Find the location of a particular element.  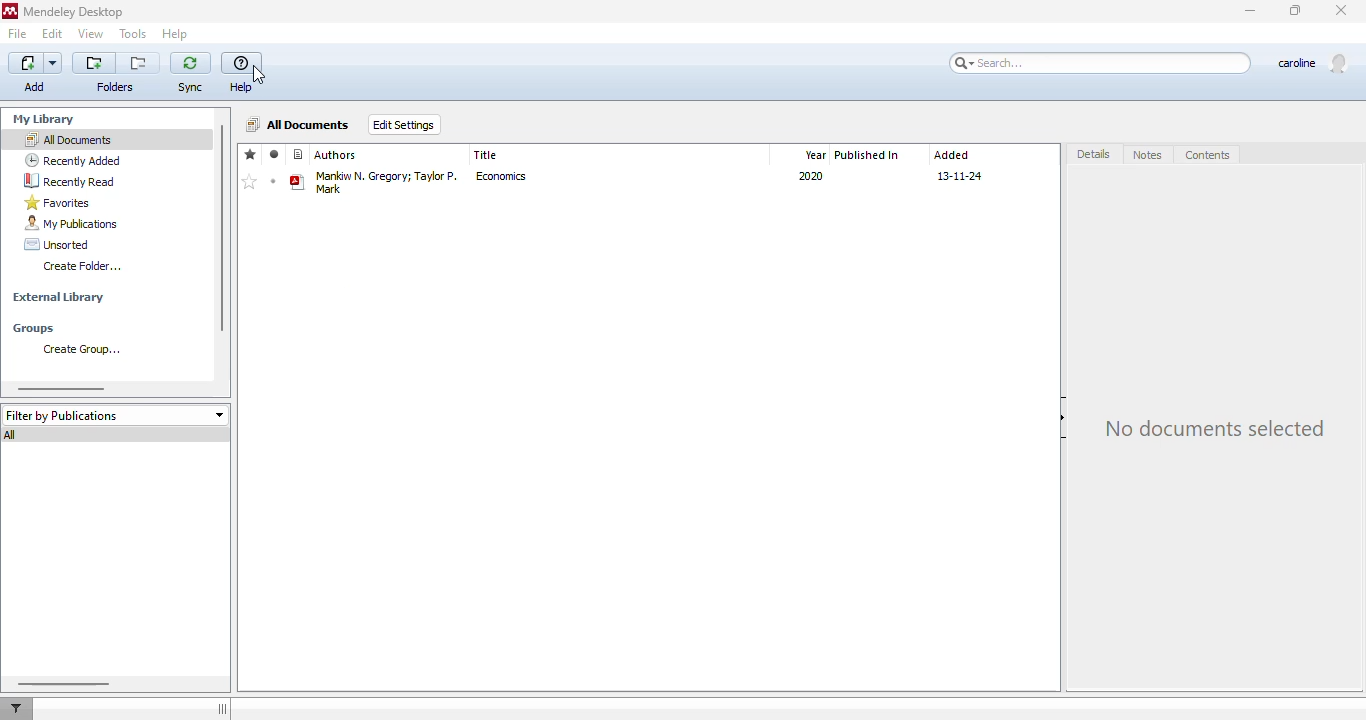

user profile is located at coordinates (1315, 62).